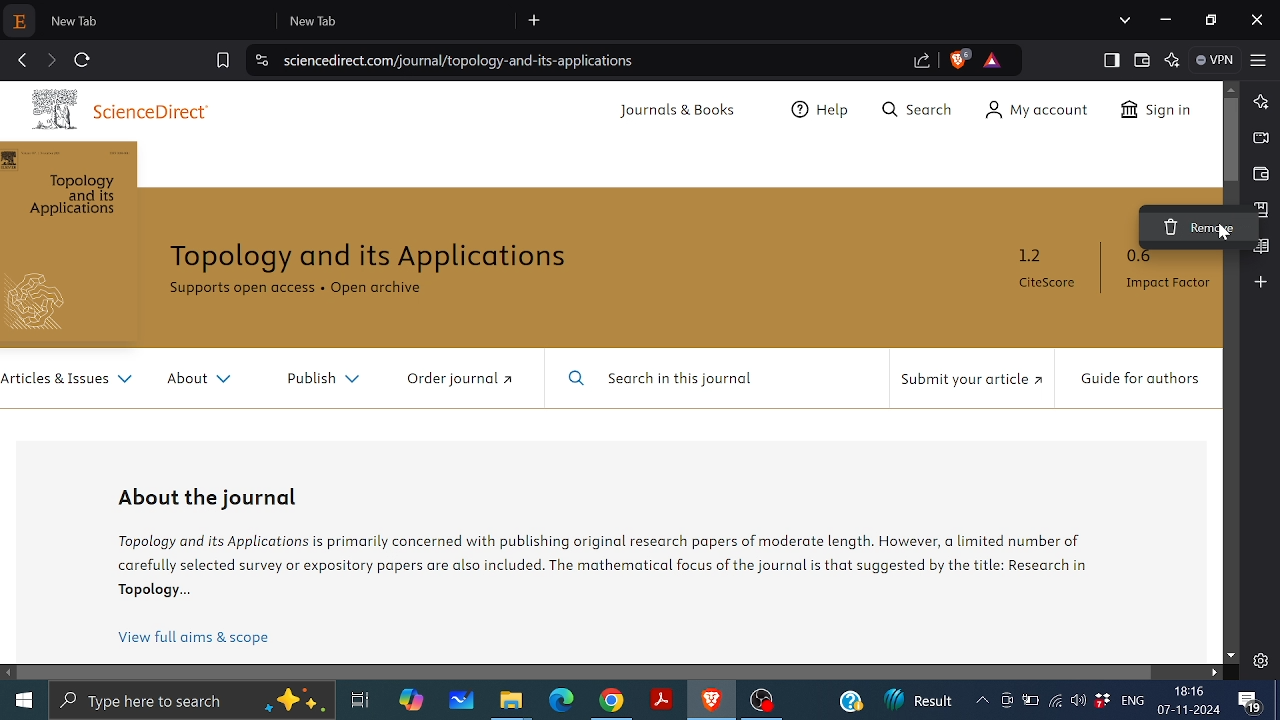 This screenshot has height=720, width=1280. Describe the element at coordinates (1259, 137) in the screenshot. I see `Brave talk` at that location.